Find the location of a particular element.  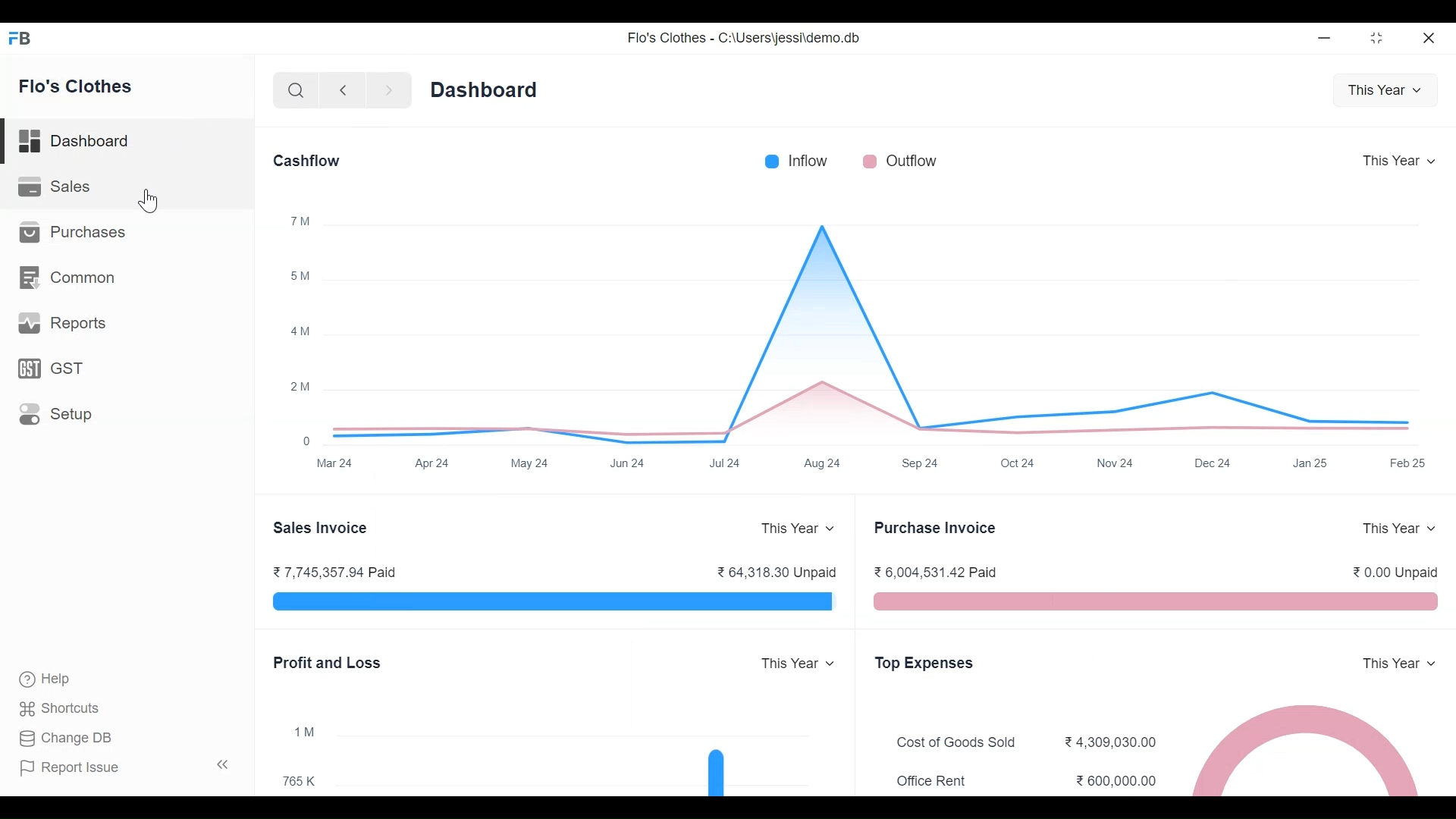

Jul 24 is located at coordinates (728, 462).